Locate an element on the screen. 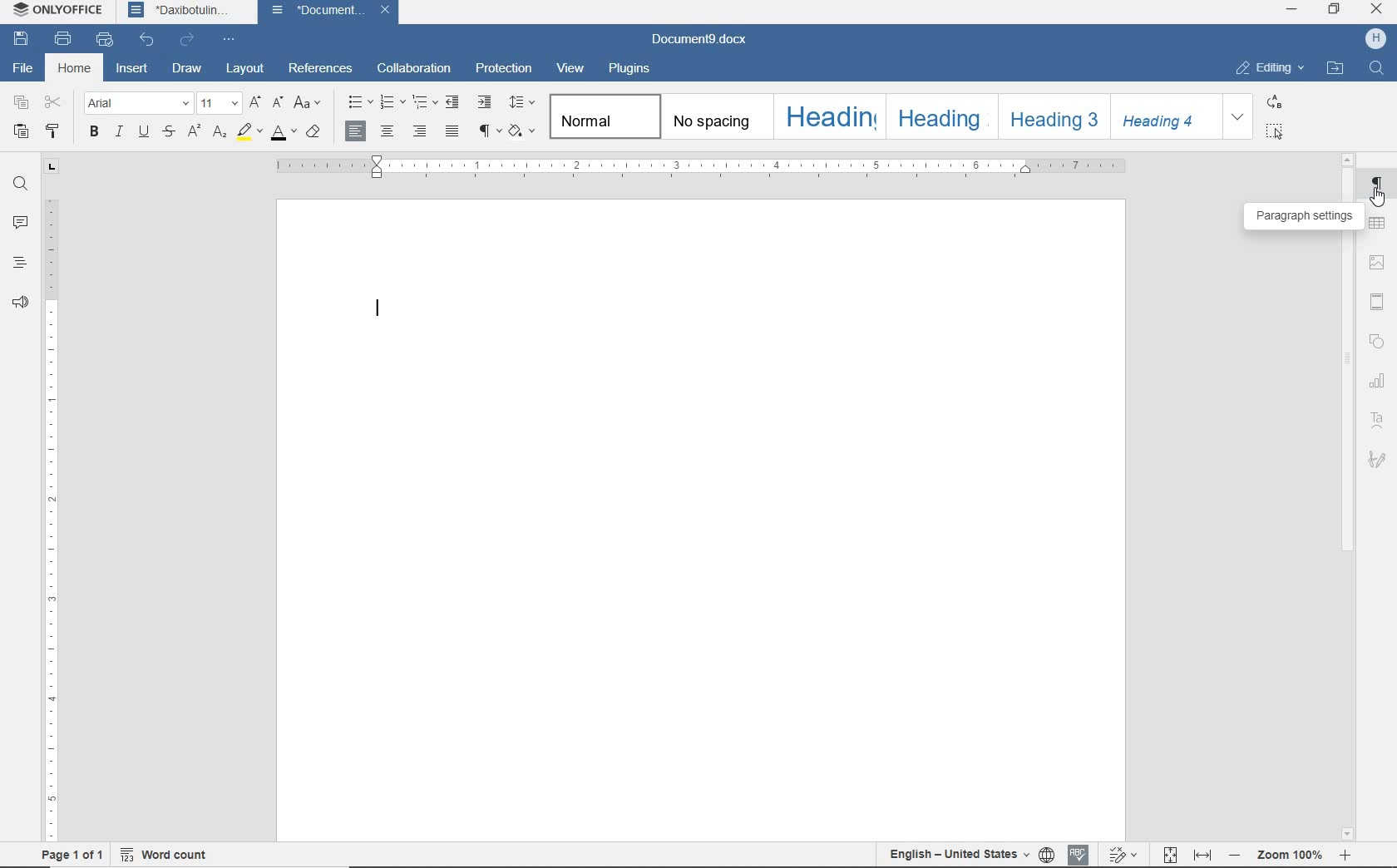 The width and height of the screenshot is (1397, 868). comments is located at coordinates (21, 223).